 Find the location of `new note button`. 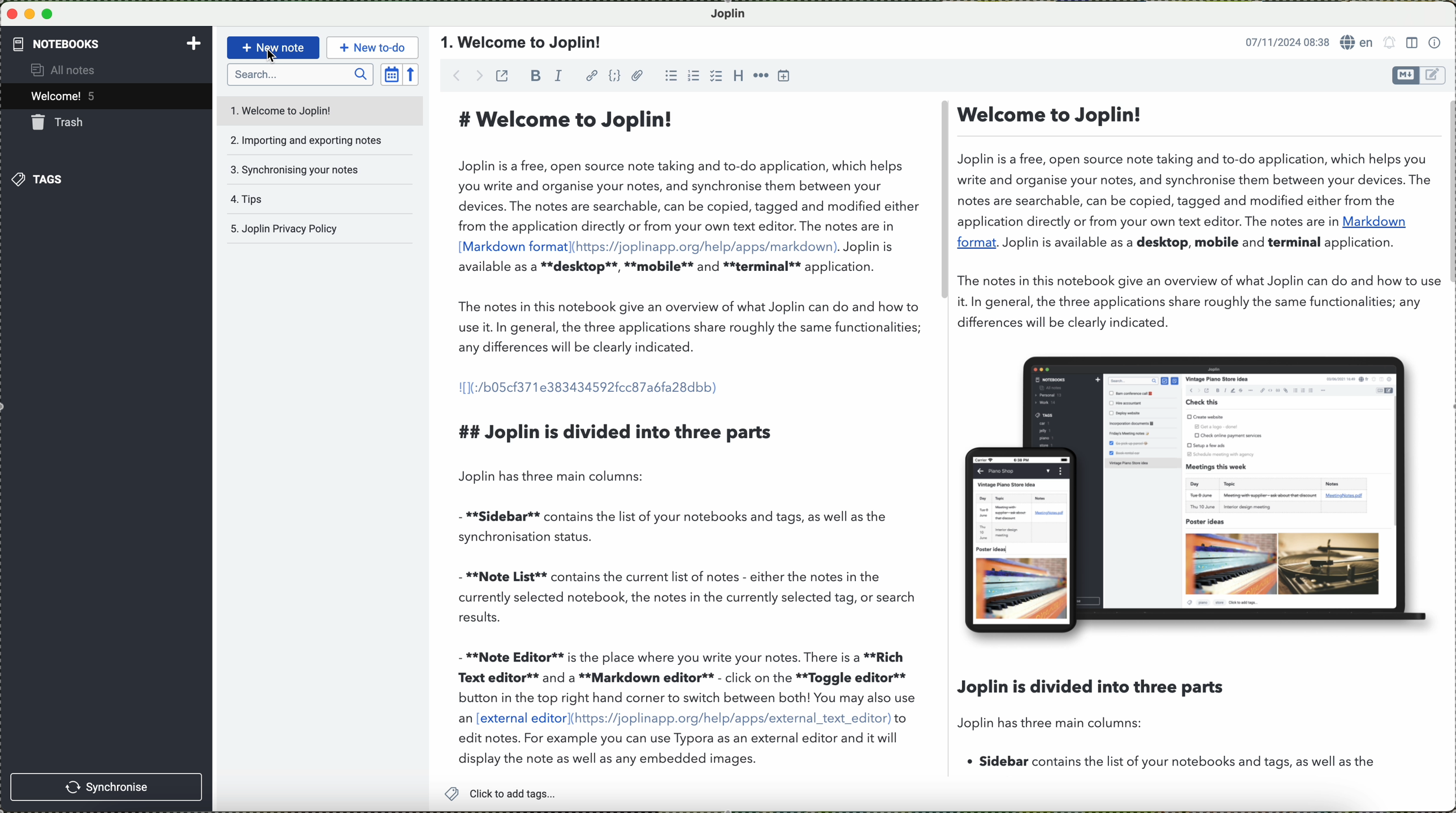

new note button is located at coordinates (271, 47).